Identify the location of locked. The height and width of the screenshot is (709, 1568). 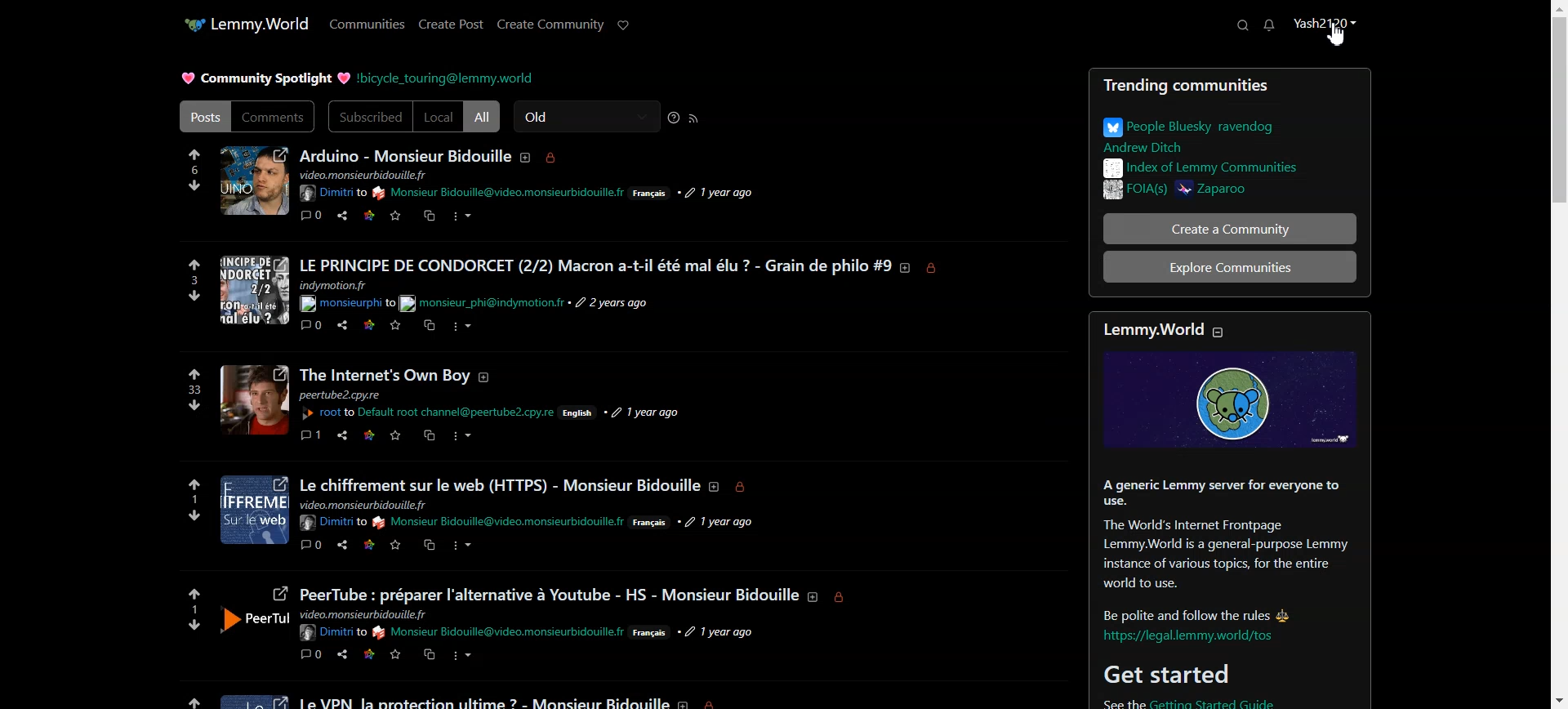
(718, 702).